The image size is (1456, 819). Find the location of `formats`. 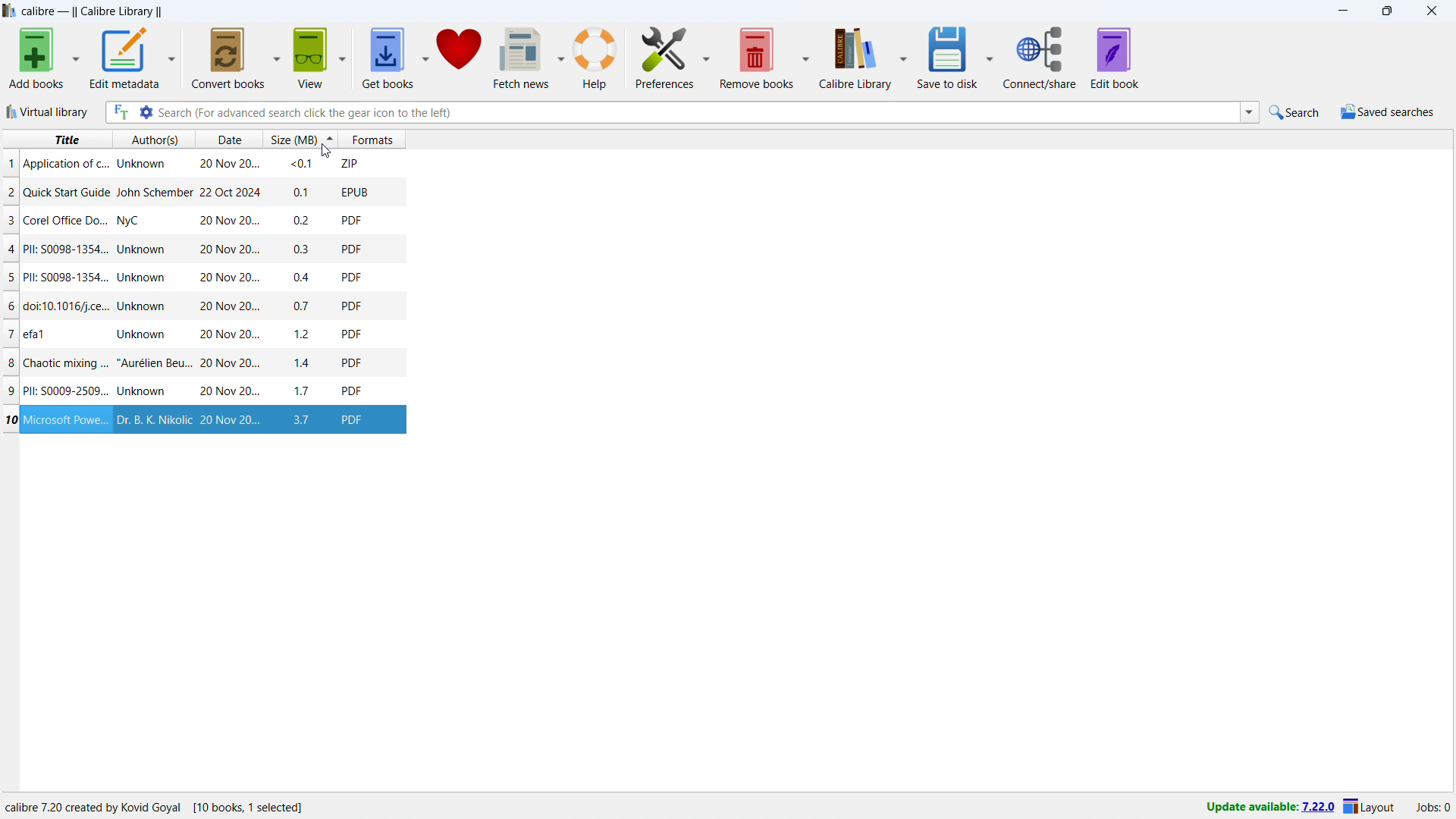

formats is located at coordinates (296, 138).